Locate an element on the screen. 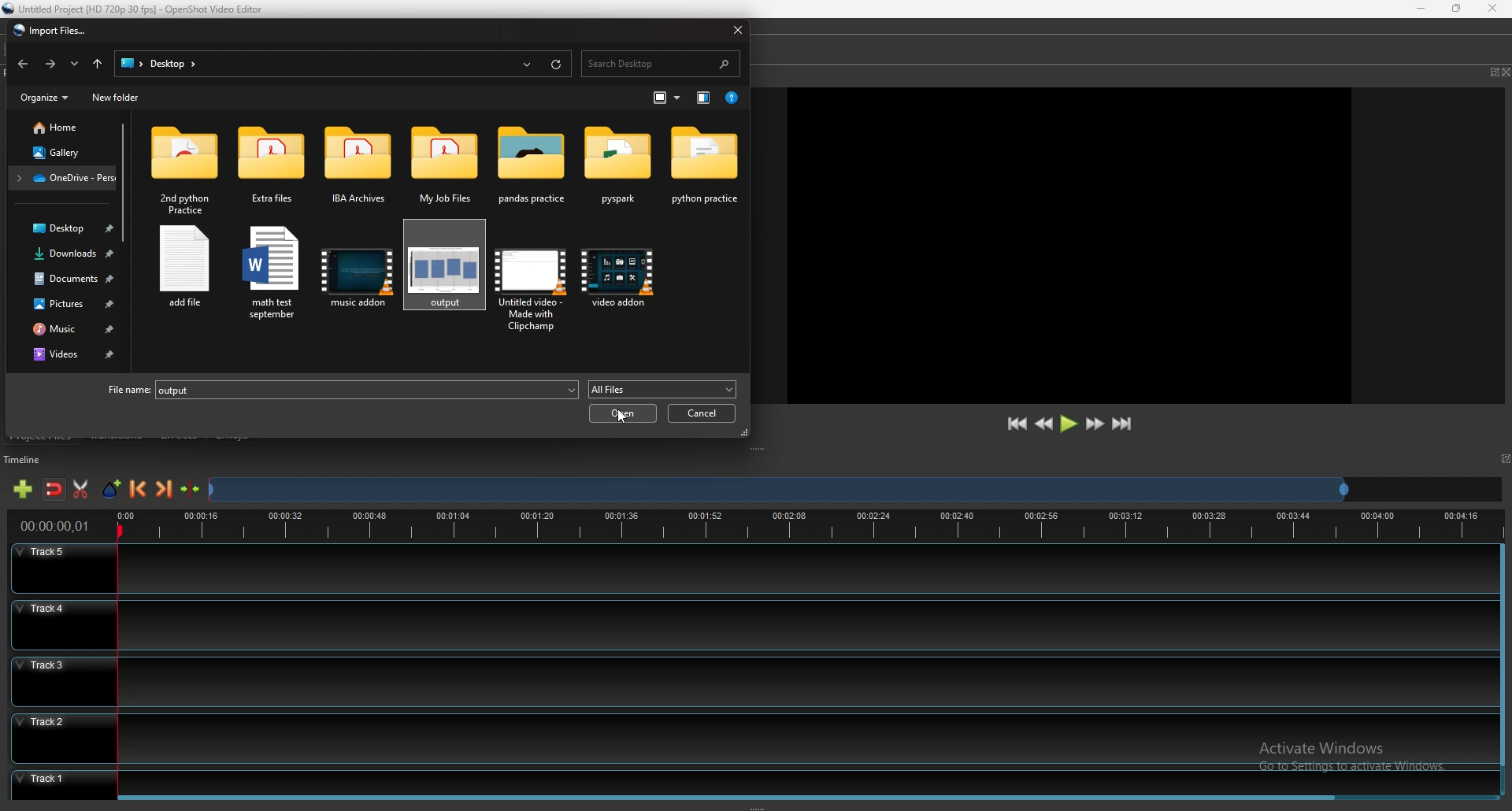 This screenshot has height=811, width=1512. scroll bar is located at coordinates (1503, 667).